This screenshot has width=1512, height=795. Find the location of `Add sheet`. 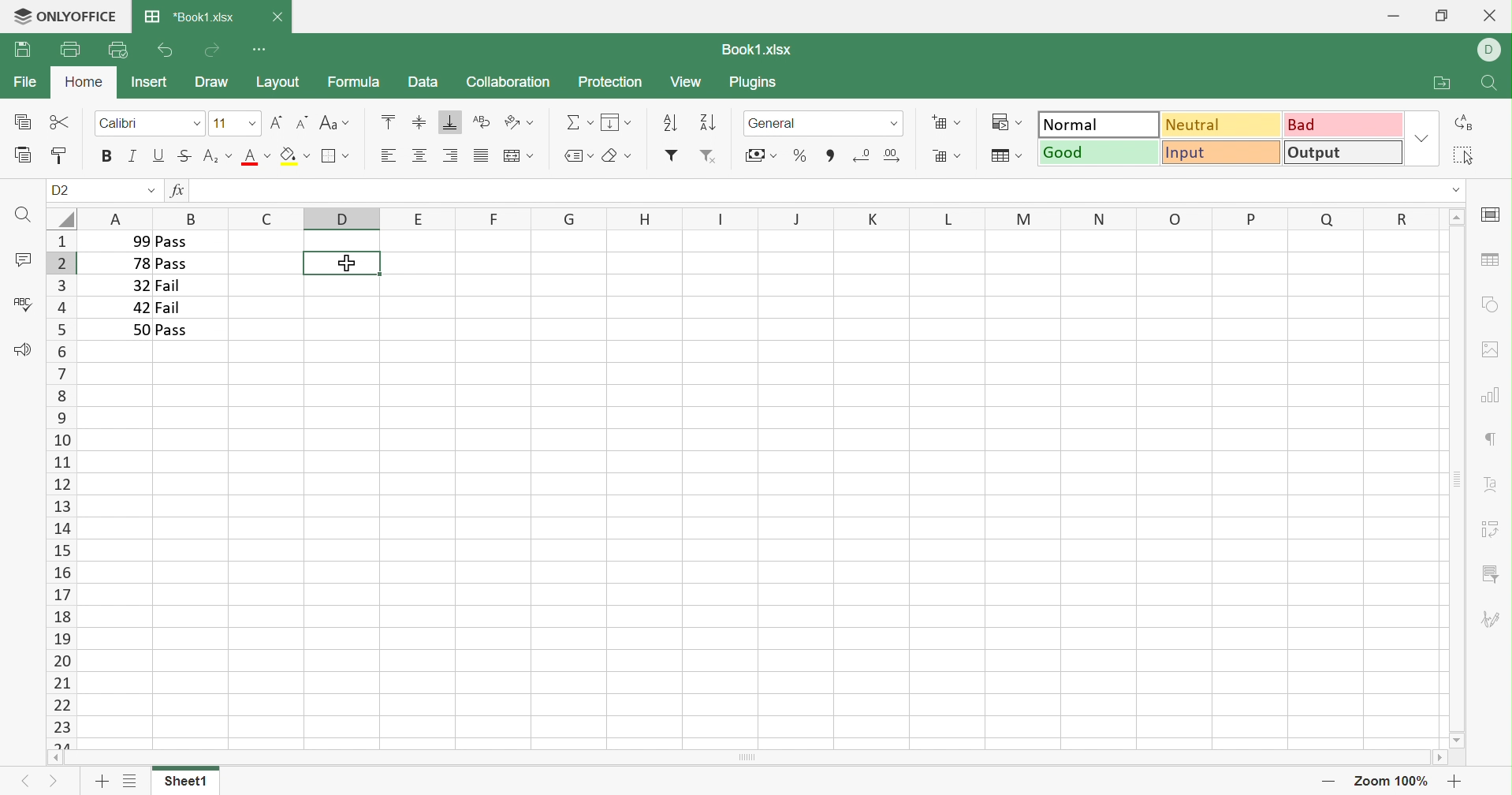

Add sheet is located at coordinates (102, 783).